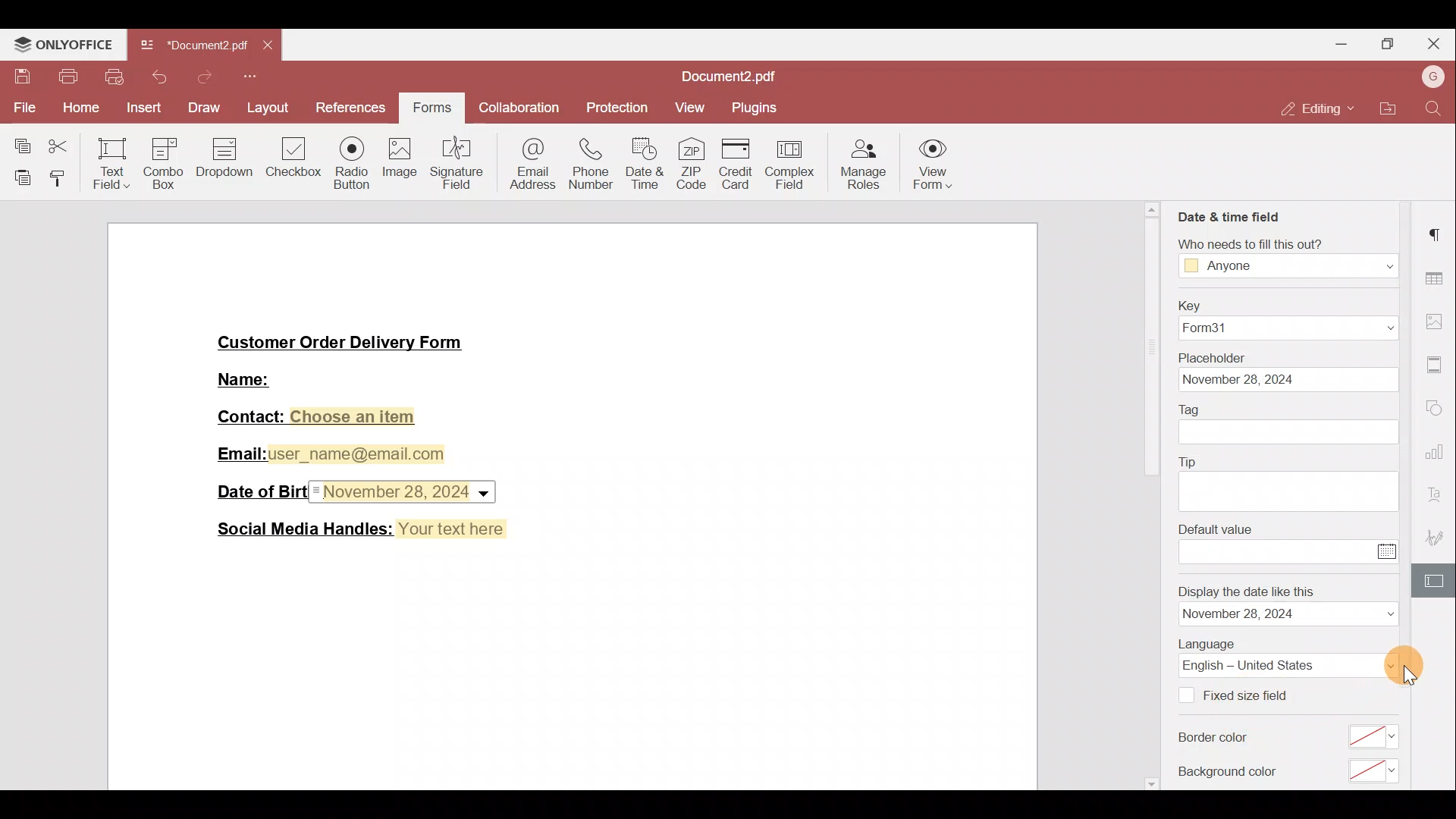  What do you see at coordinates (19, 143) in the screenshot?
I see `Copy` at bounding box center [19, 143].